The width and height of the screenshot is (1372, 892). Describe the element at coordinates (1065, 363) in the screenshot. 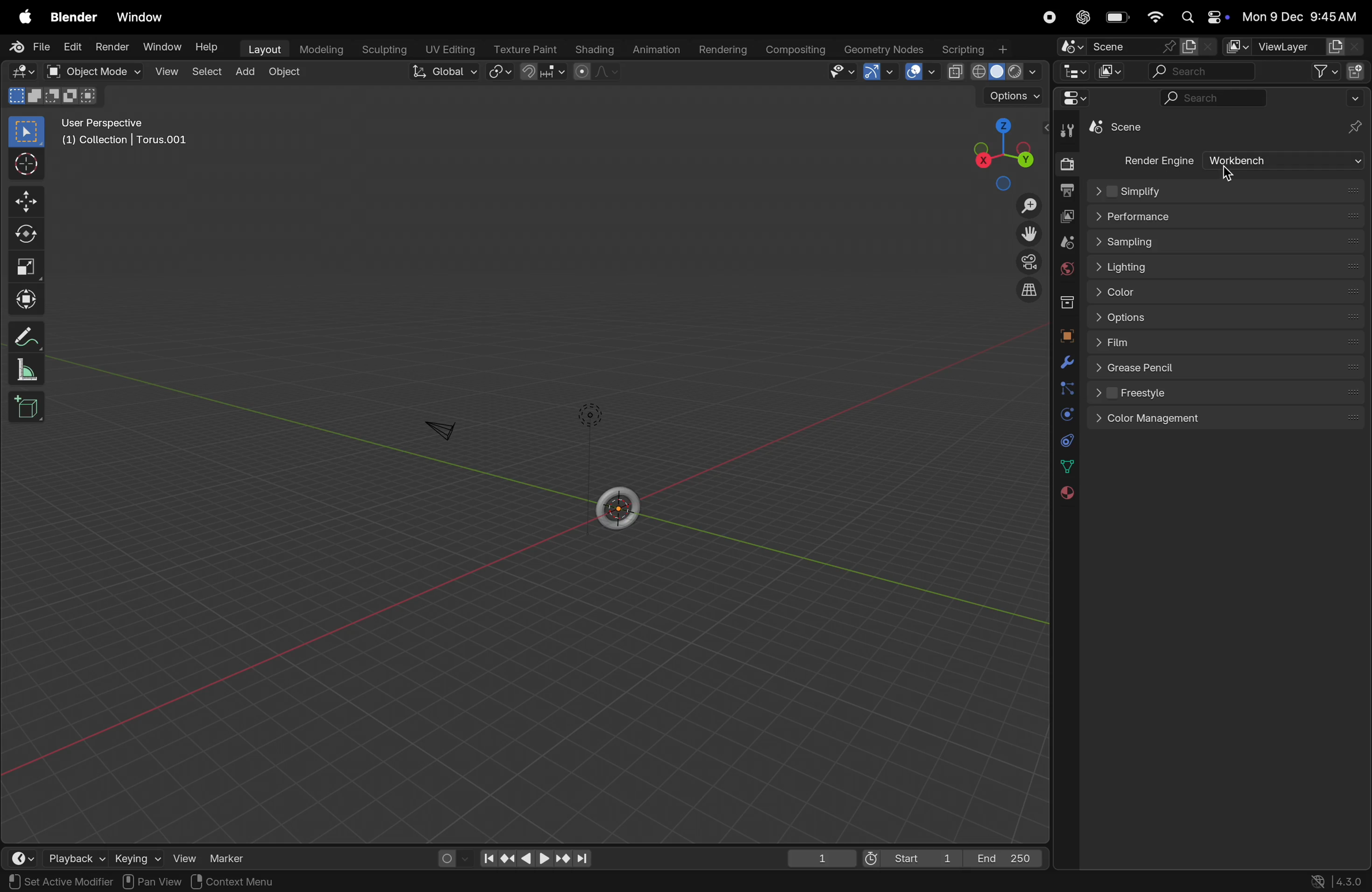

I see `modifiers` at that location.